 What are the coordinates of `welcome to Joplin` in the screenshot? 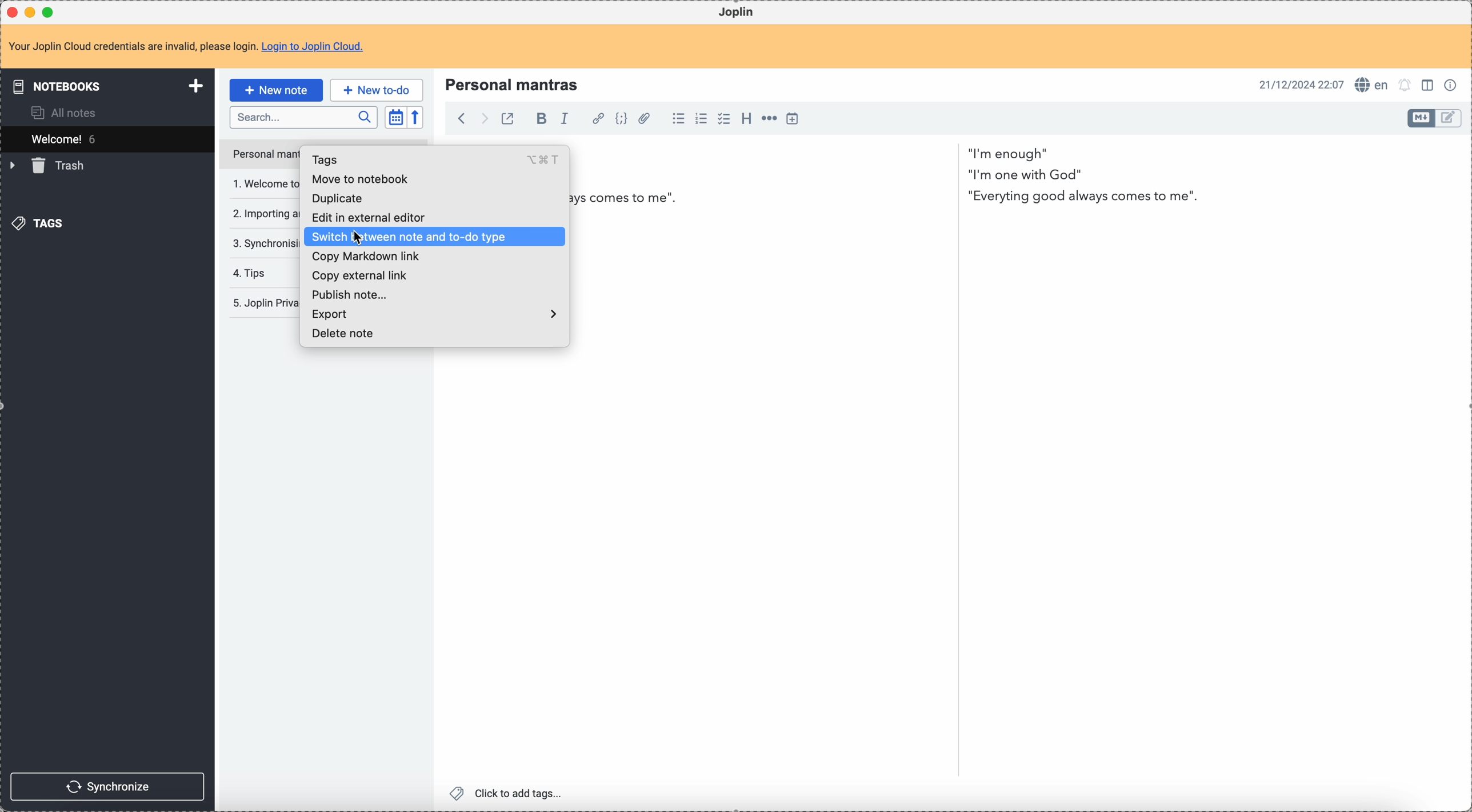 It's located at (261, 183).